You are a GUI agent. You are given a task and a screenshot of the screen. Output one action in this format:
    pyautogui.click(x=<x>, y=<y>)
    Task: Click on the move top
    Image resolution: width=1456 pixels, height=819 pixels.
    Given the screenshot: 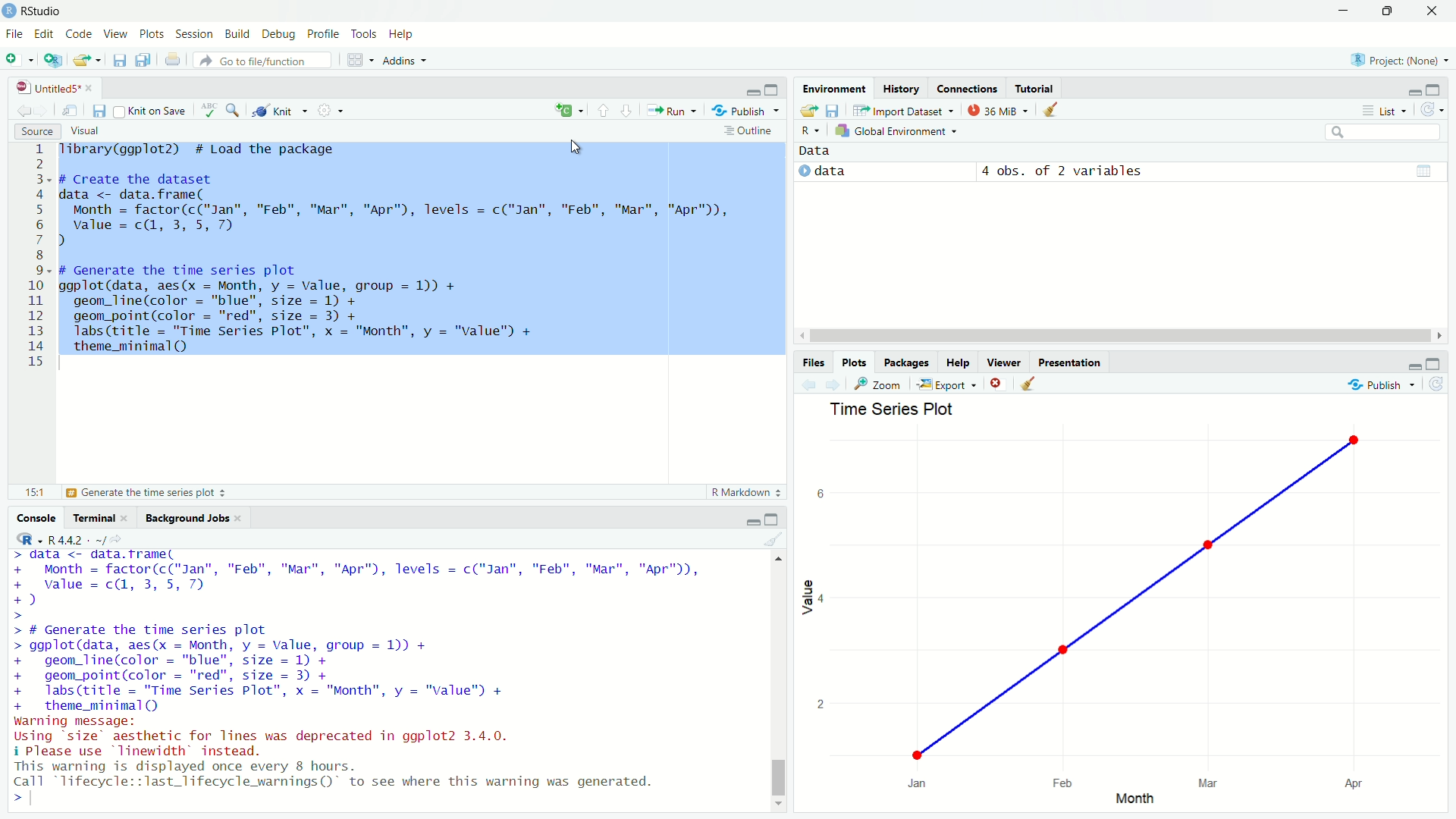 What is the action you would take?
    pyautogui.click(x=775, y=560)
    